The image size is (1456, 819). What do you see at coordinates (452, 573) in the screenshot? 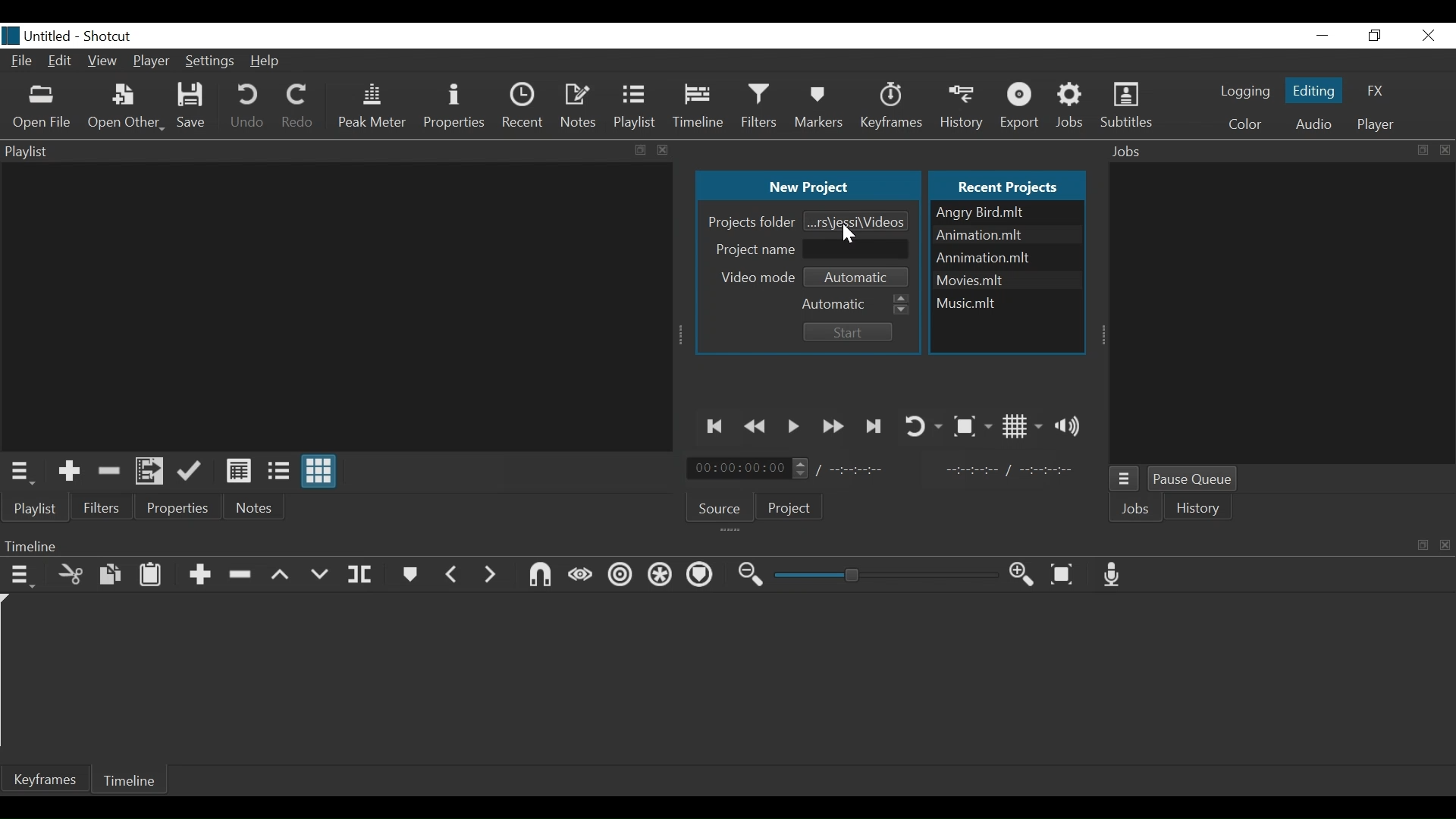
I see `Previous marker` at bounding box center [452, 573].